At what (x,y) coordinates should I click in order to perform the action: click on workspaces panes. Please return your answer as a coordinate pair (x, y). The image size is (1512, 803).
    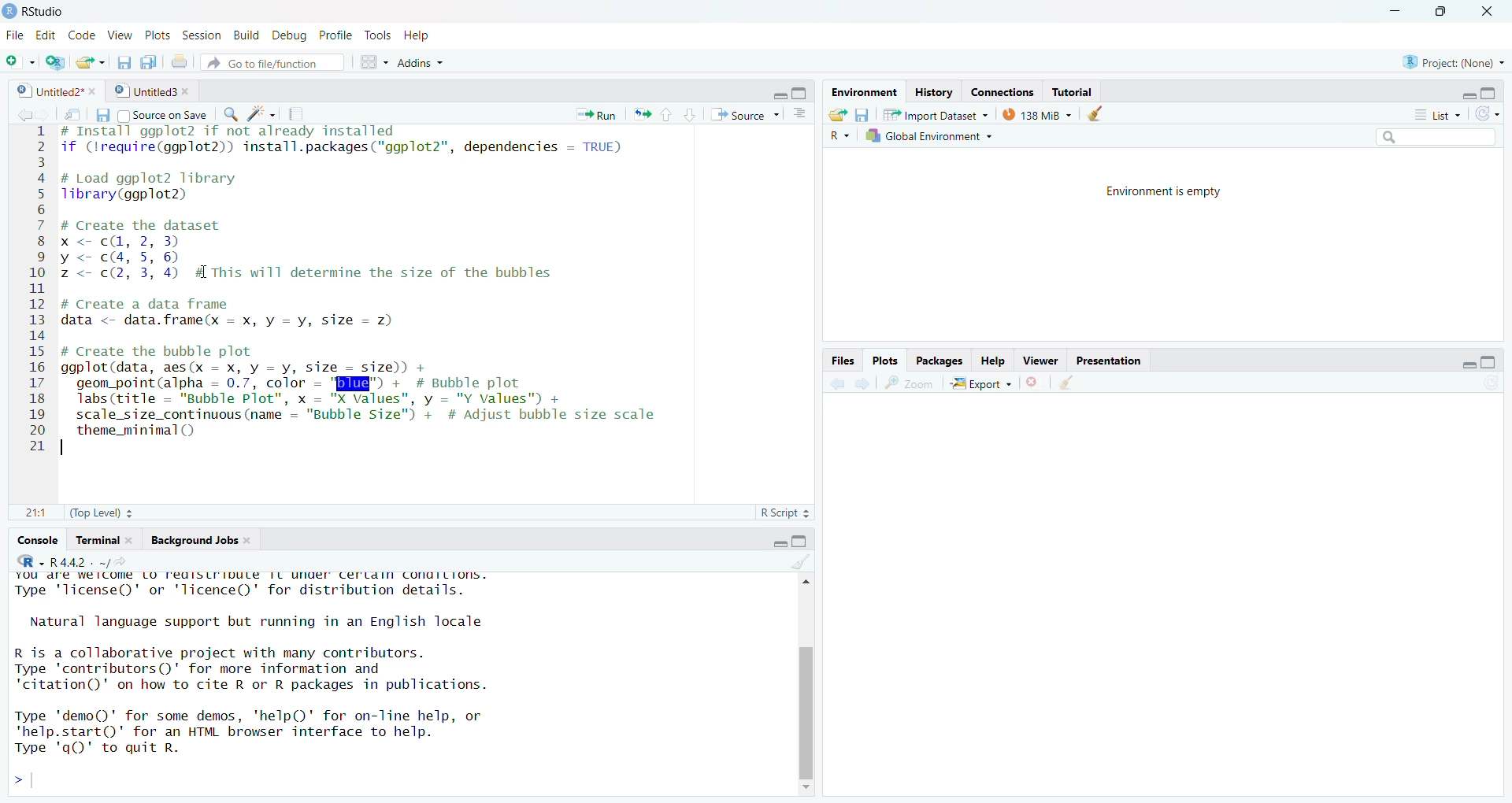
    Looking at the image, I should click on (370, 62).